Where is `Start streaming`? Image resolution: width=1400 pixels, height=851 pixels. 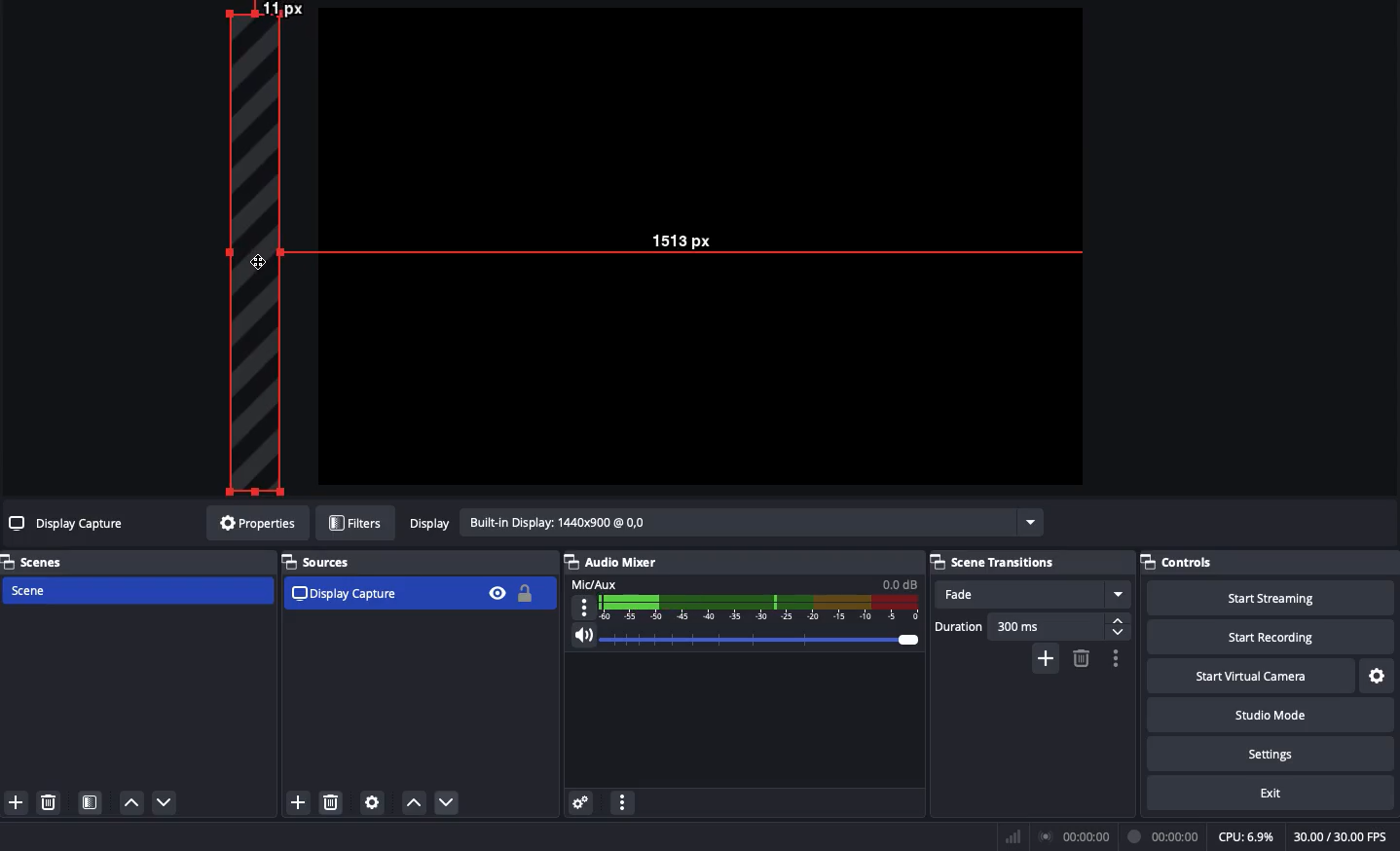 Start streaming is located at coordinates (1272, 596).